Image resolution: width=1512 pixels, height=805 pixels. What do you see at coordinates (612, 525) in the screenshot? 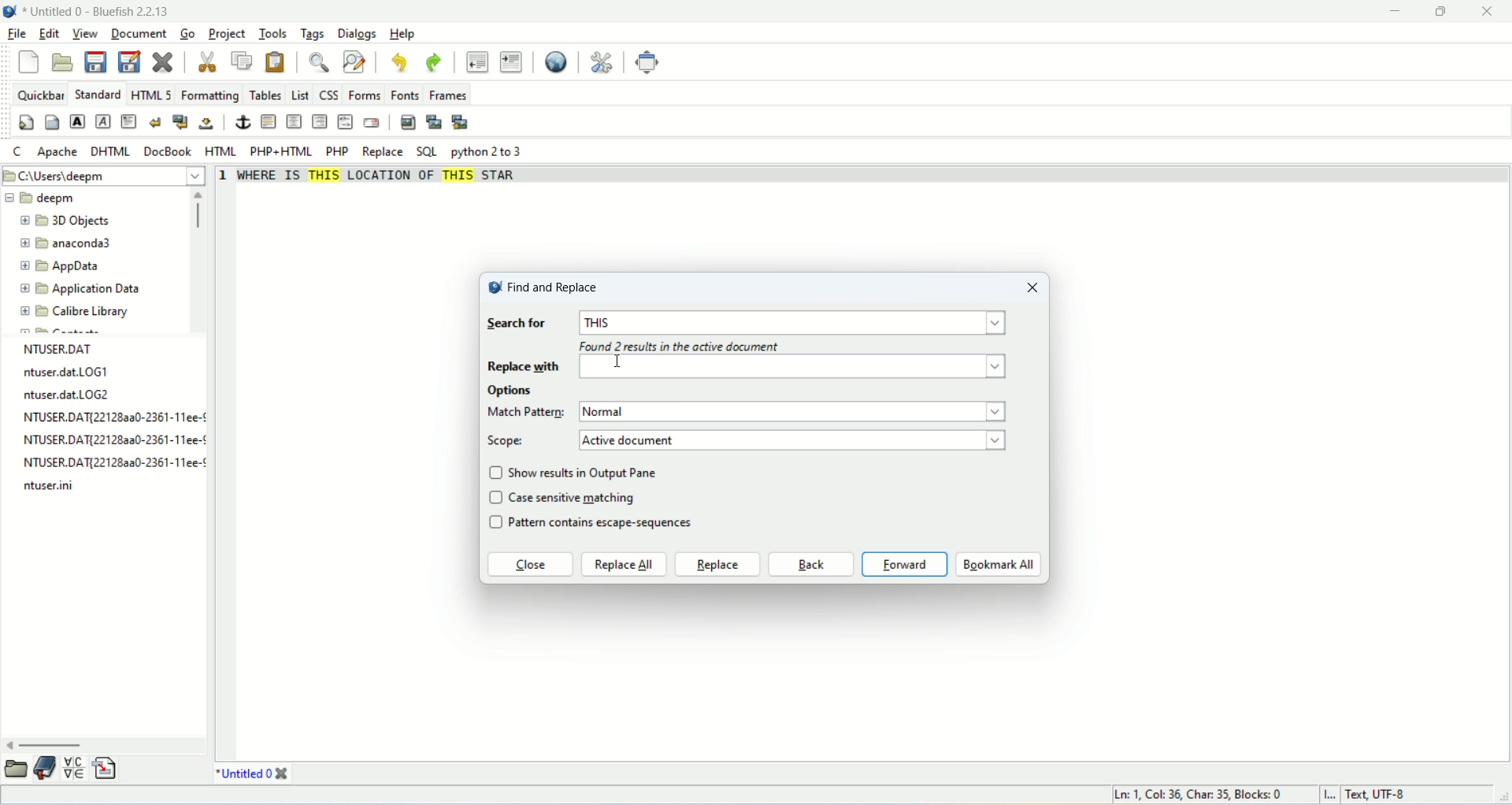
I see `pattern contains escape-sequences` at bounding box center [612, 525].